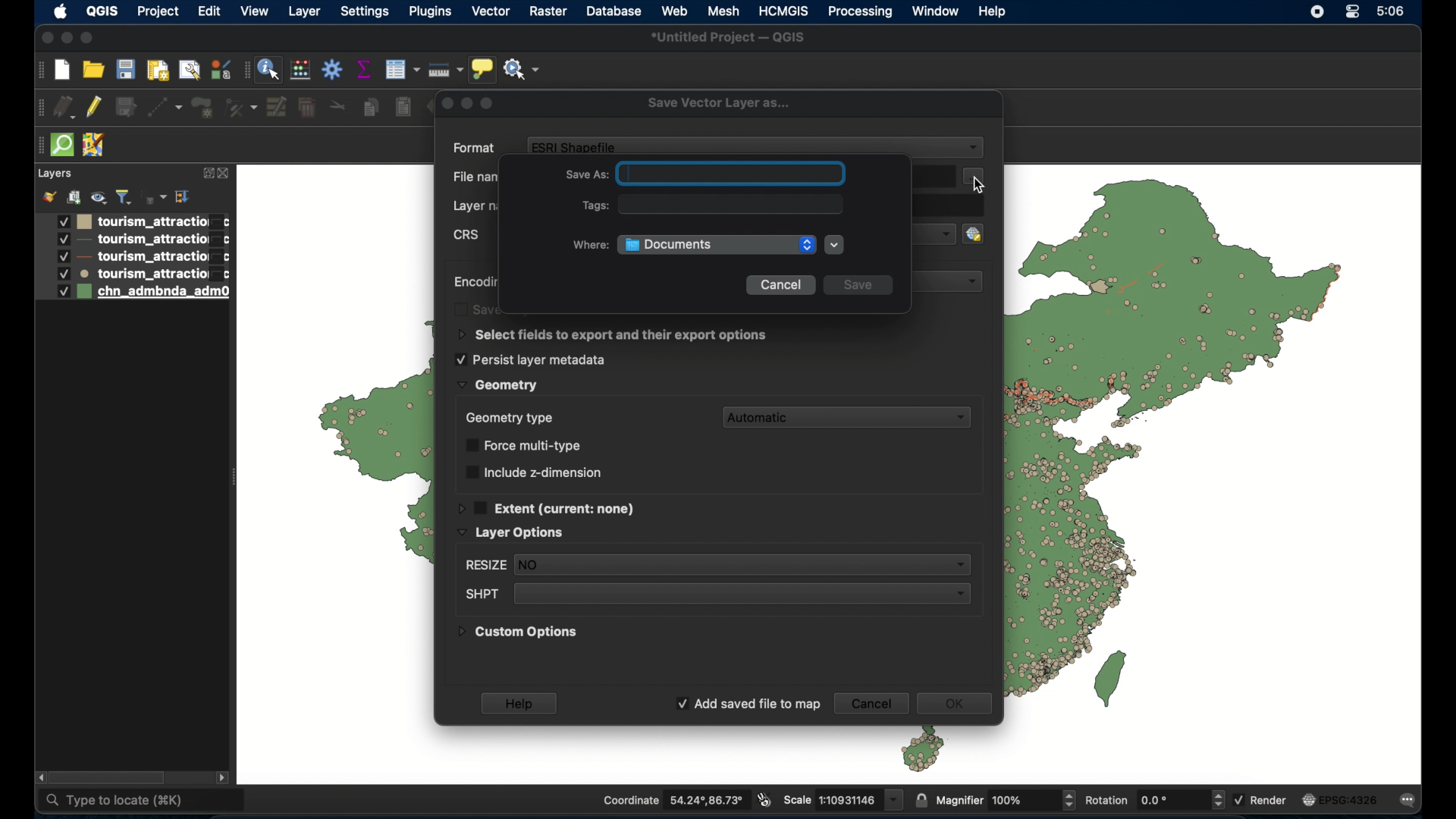 Image resolution: width=1456 pixels, height=819 pixels. Describe the element at coordinates (245, 70) in the screenshot. I see `drag handle` at that location.